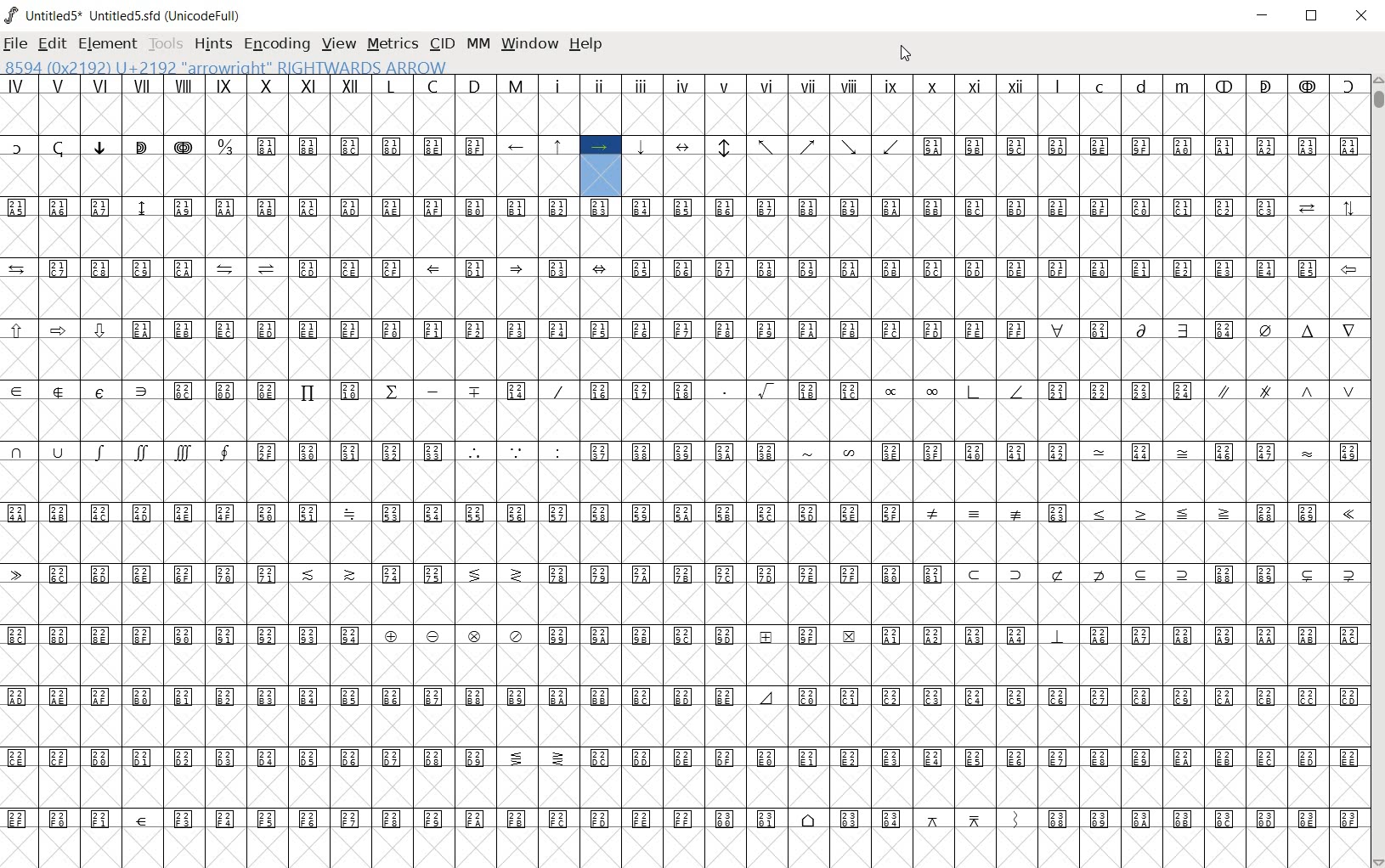 The image size is (1385, 868). What do you see at coordinates (212, 45) in the screenshot?
I see `HINTS` at bounding box center [212, 45].